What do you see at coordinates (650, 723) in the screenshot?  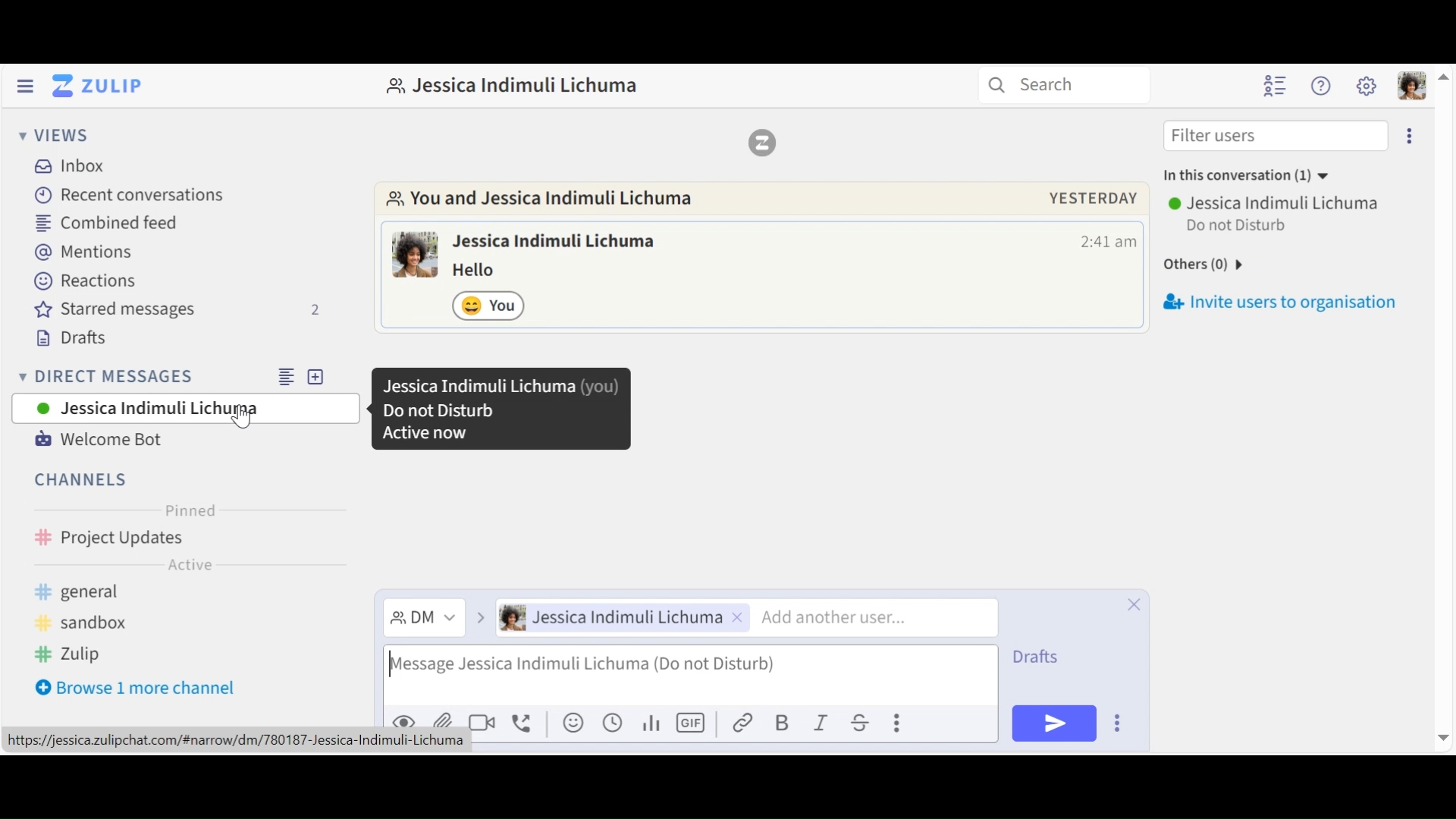 I see `Add polls` at bounding box center [650, 723].